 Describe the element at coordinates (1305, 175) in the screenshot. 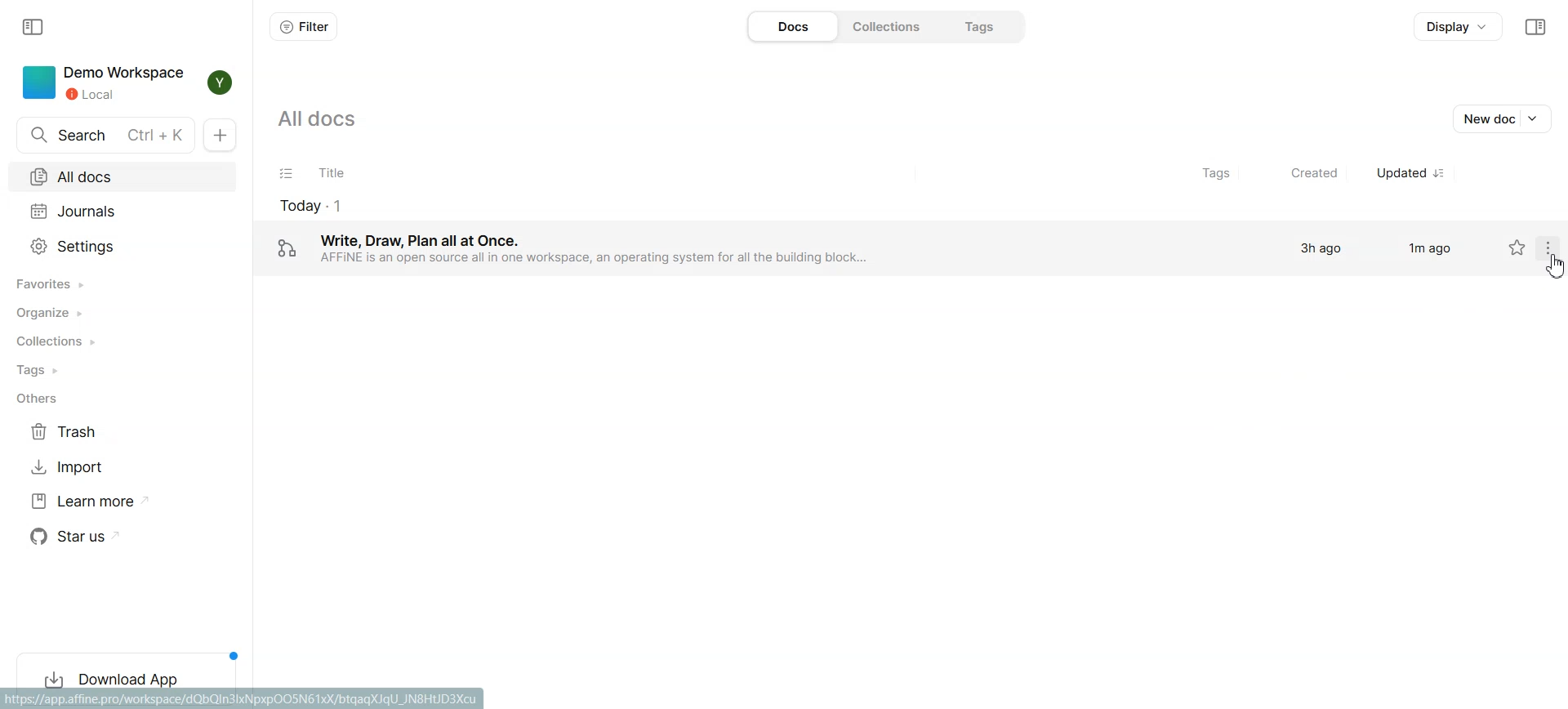

I see `Created` at that location.